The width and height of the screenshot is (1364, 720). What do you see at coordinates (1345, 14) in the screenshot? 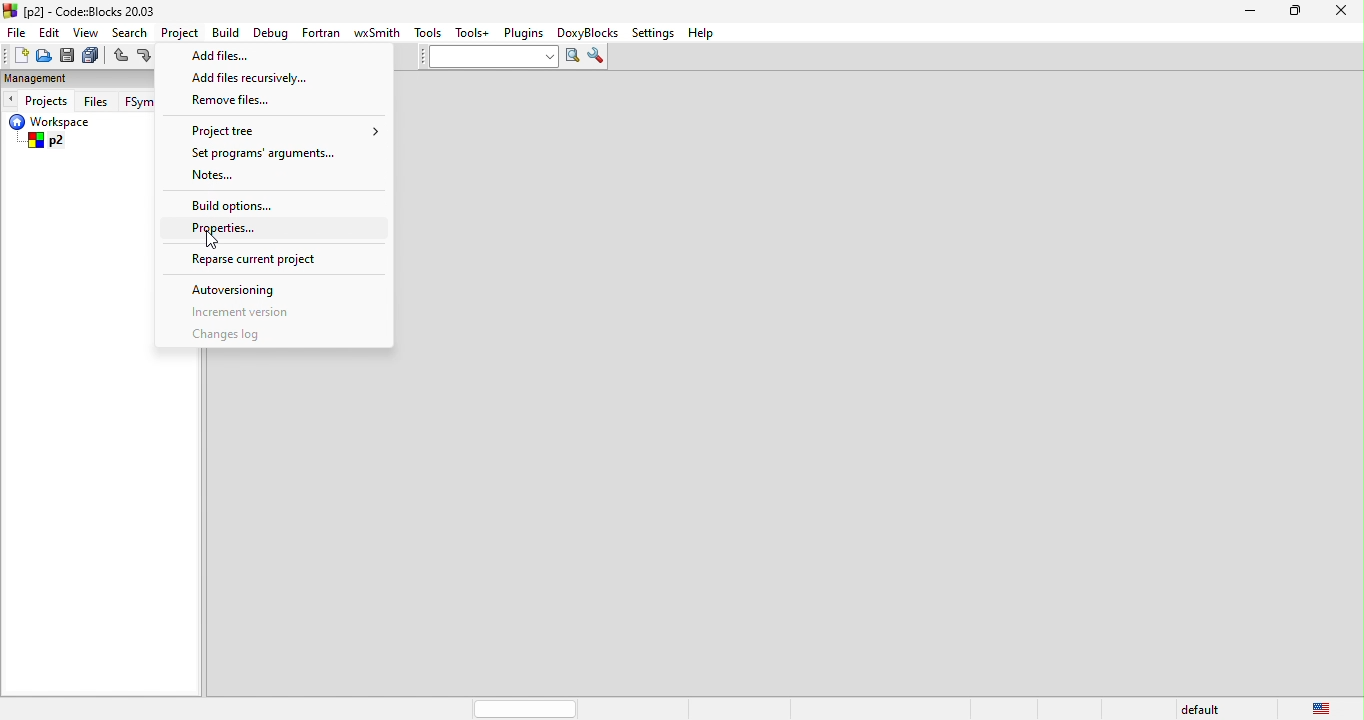
I see `close` at bounding box center [1345, 14].